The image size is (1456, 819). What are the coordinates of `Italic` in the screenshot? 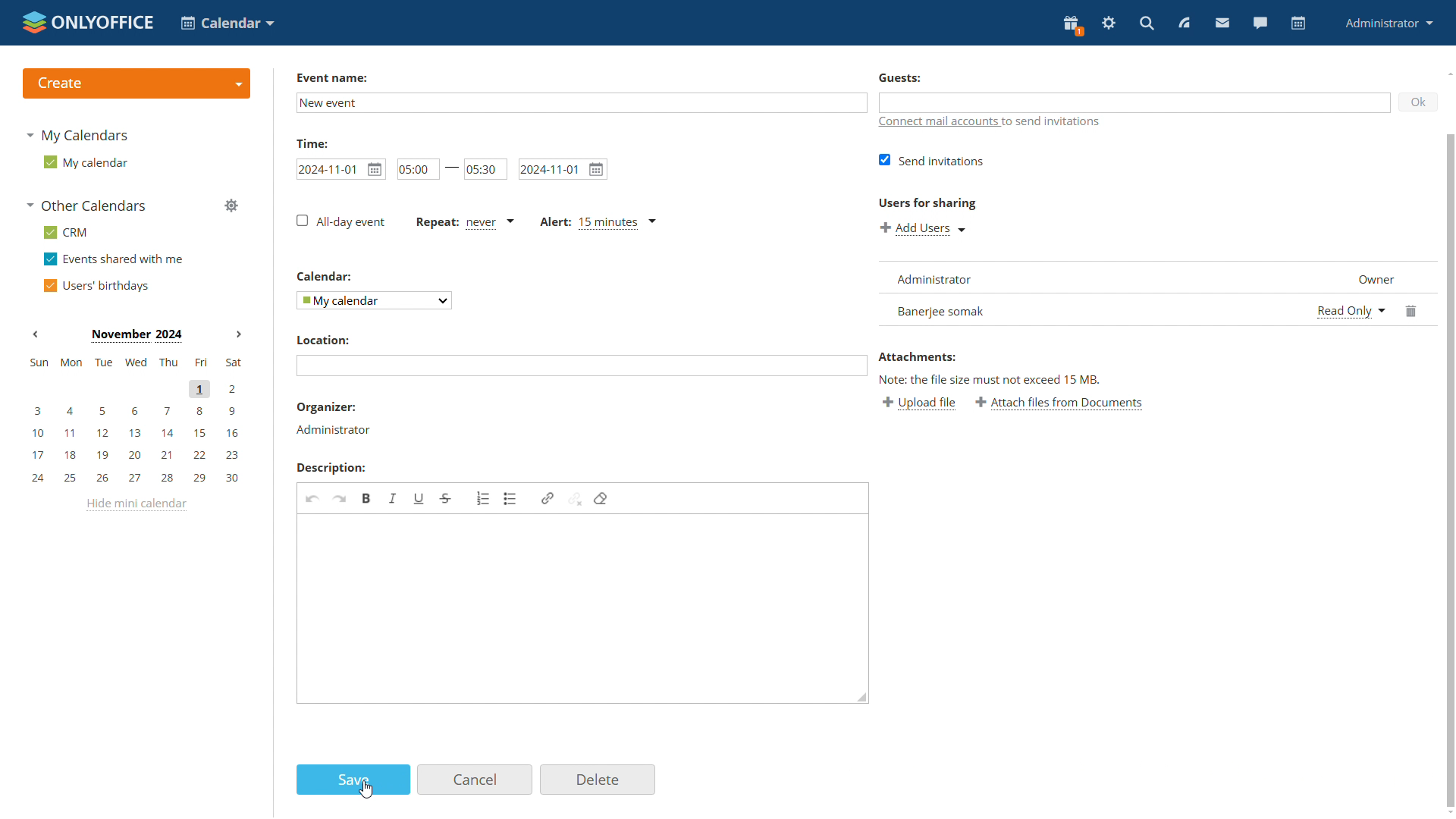 It's located at (394, 498).